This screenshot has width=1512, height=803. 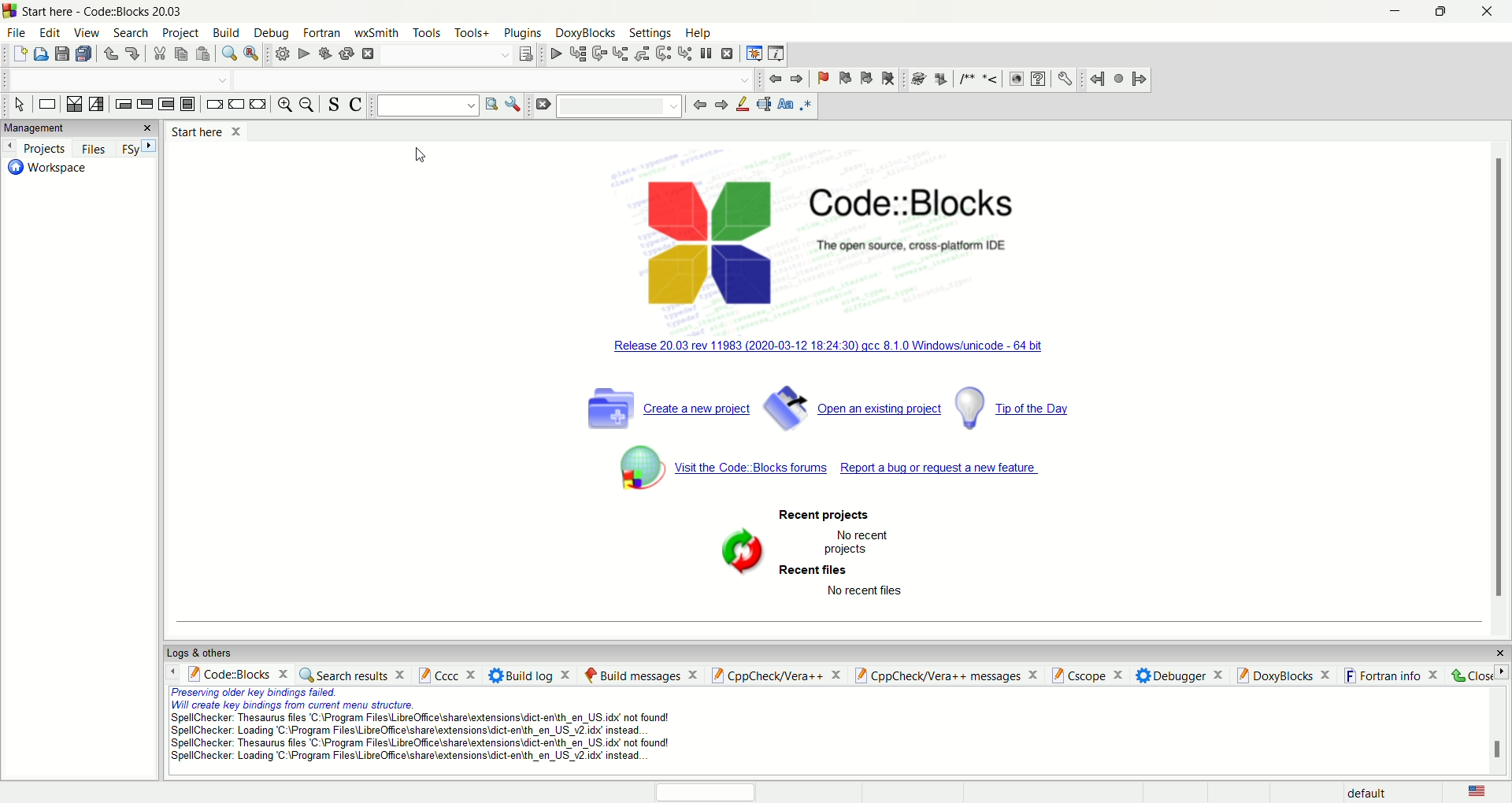 What do you see at coordinates (97, 149) in the screenshot?
I see `files` at bounding box center [97, 149].